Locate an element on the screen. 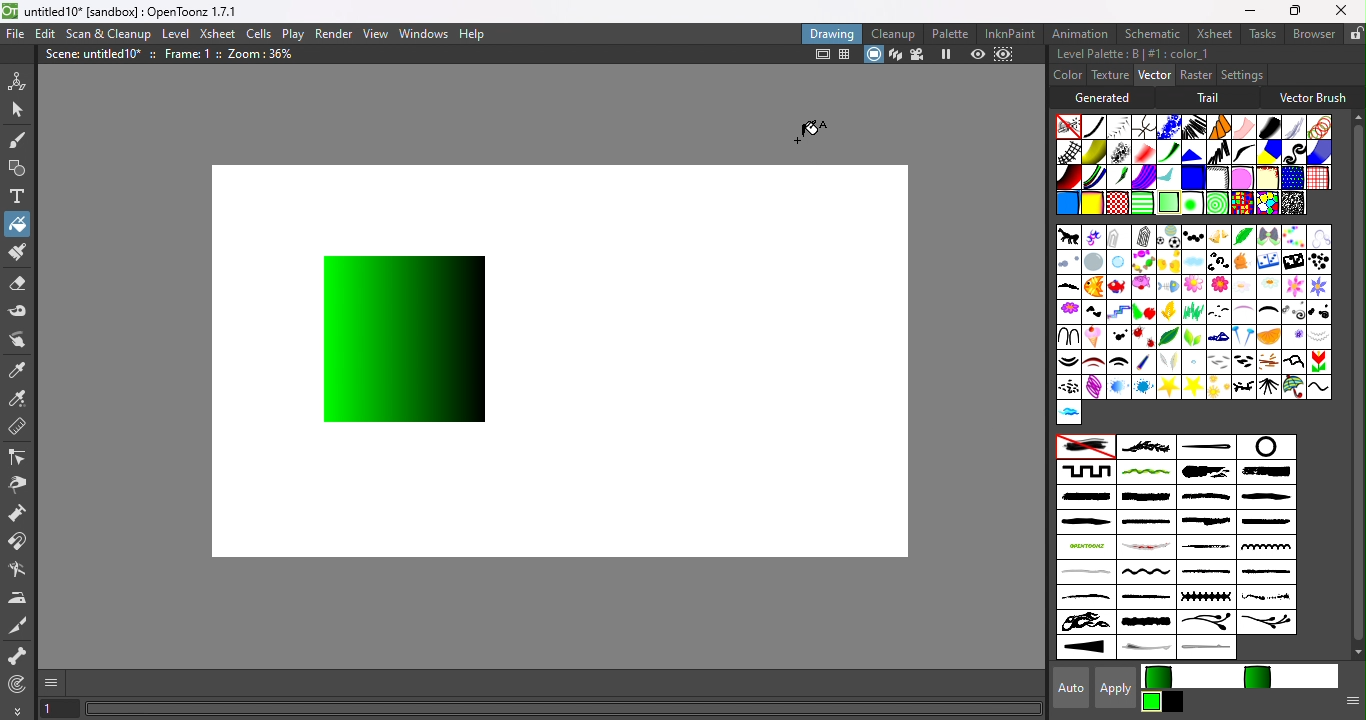 This screenshot has width=1366, height=720. rice is located at coordinates (1244, 361).